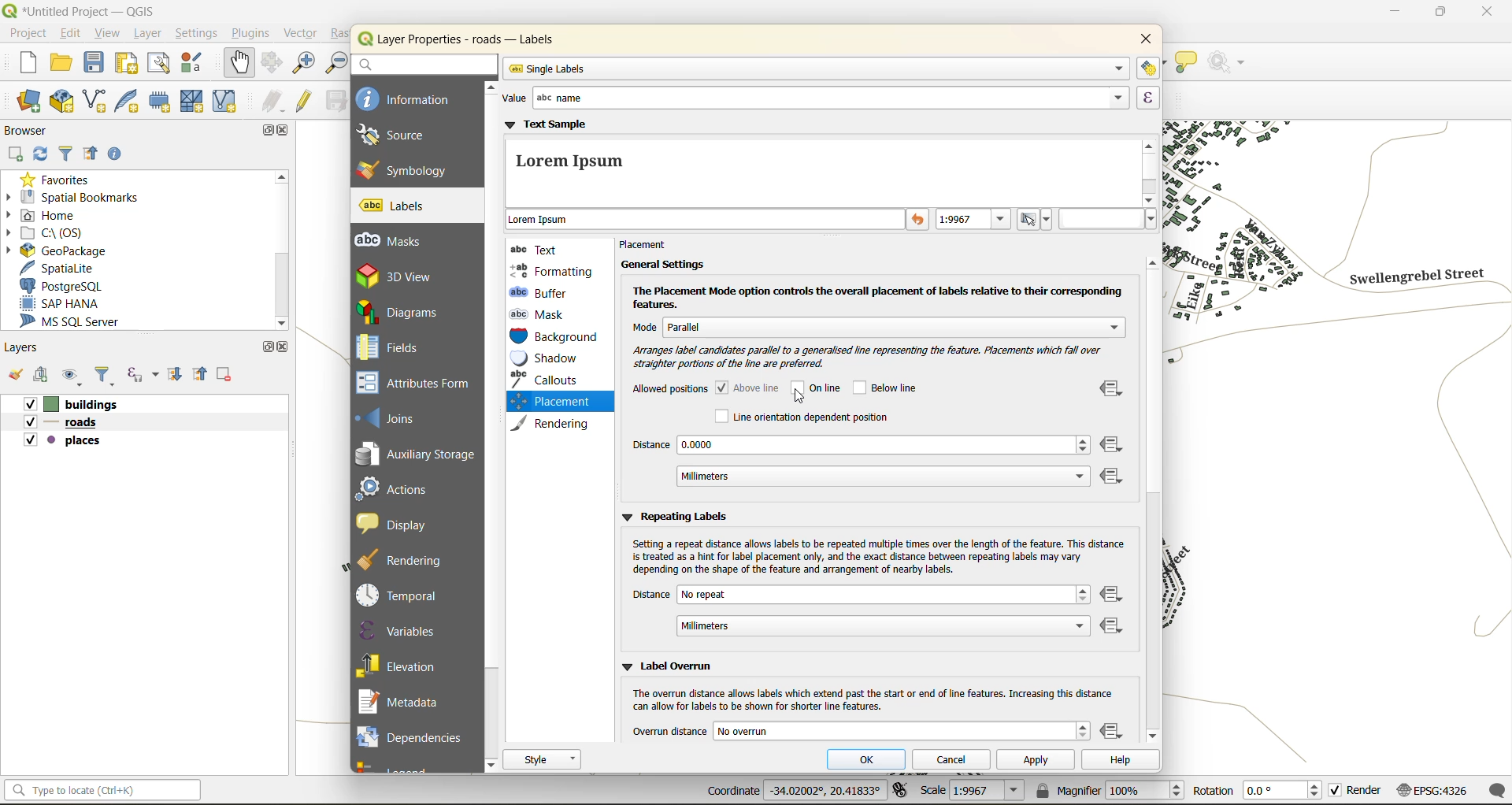 The image size is (1512, 805). What do you see at coordinates (402, 169) in the screenshot?
I see `symbology` at bounding box center [402, 169].